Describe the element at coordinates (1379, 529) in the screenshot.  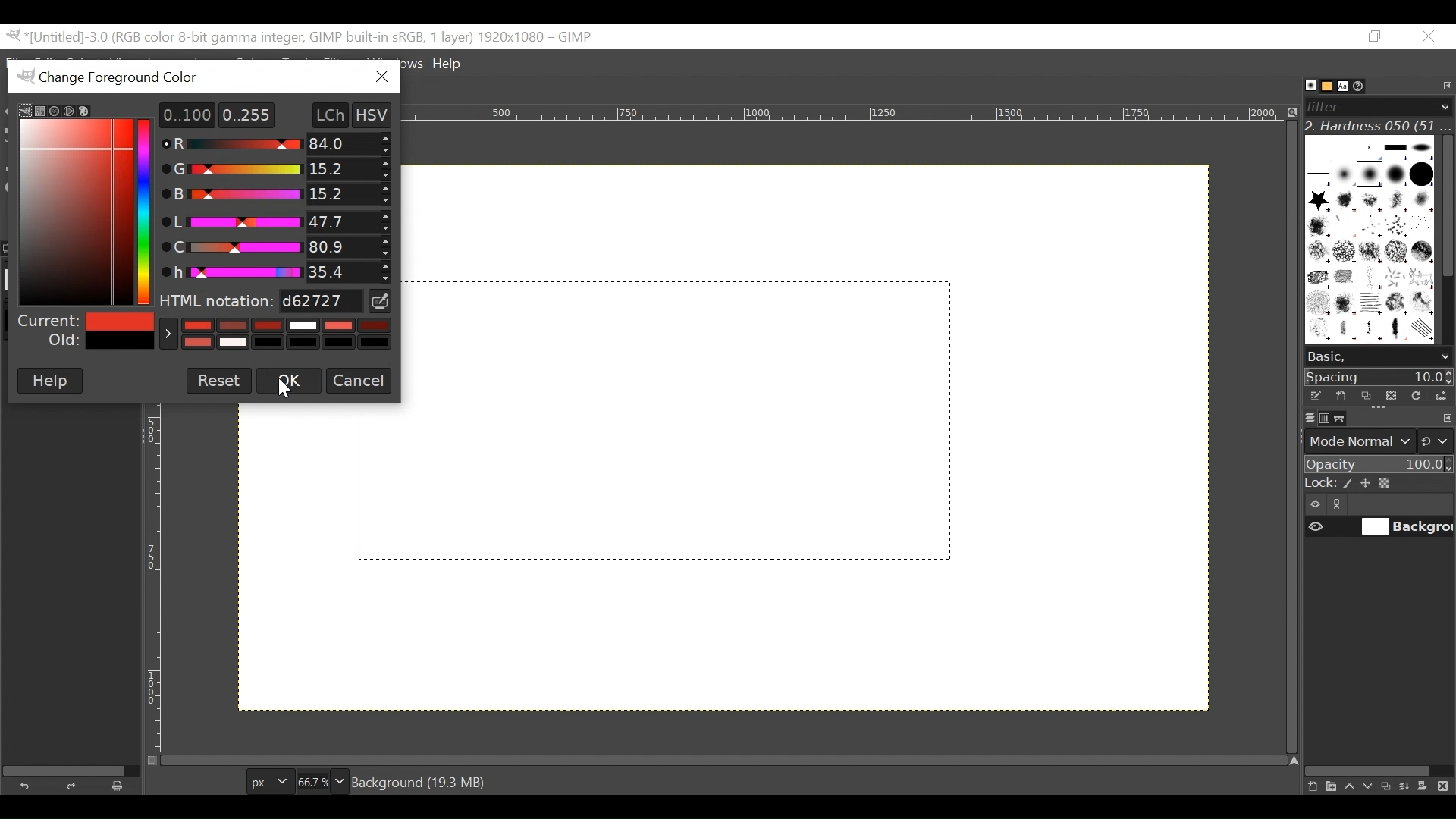
I see `(un)select item visibility background` at that location.